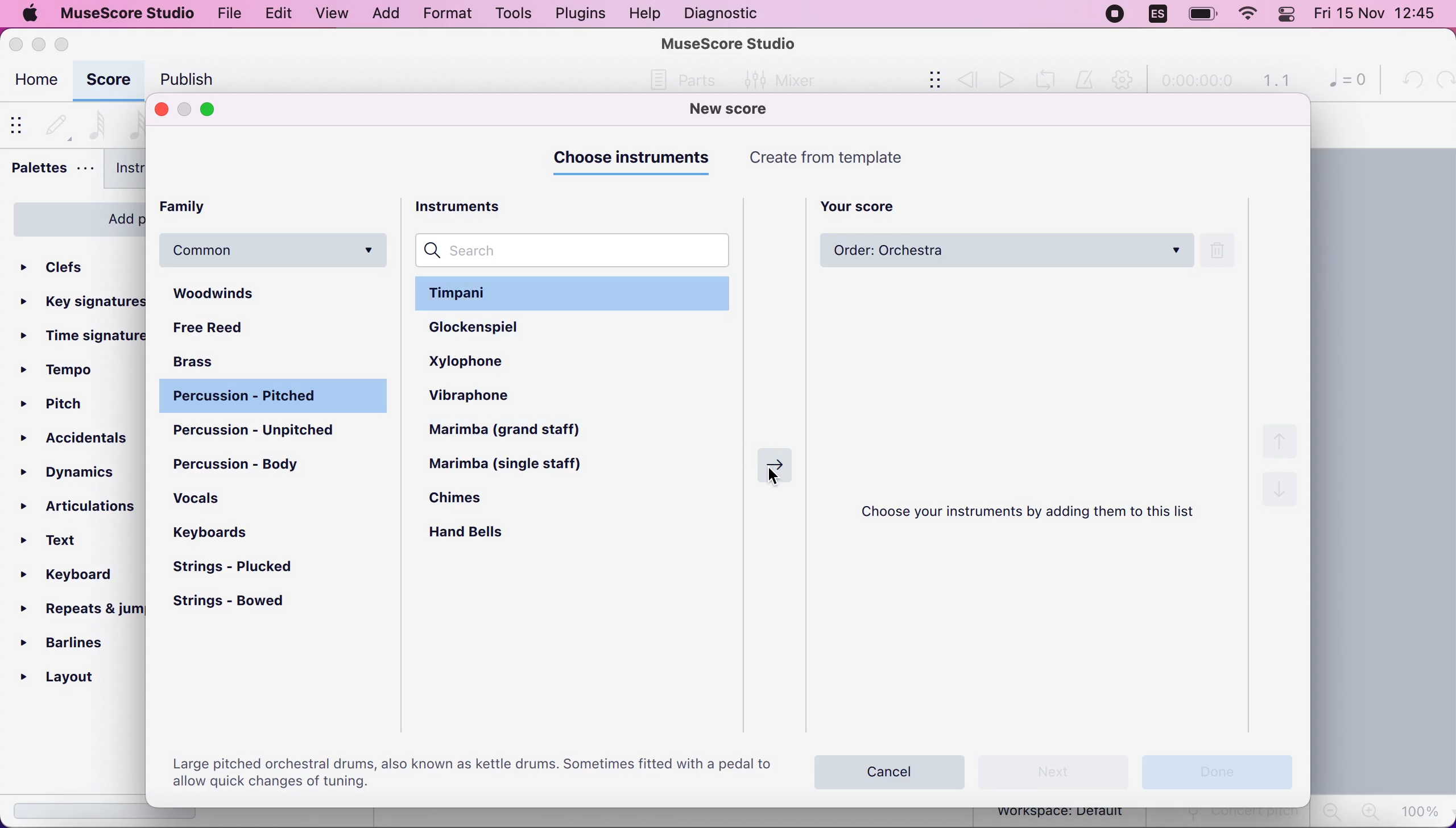 This screenshot has width=1456, height=828. Describe the element at coordinates (1126, 81) in the screenshot. I see `playback settings` at that location.